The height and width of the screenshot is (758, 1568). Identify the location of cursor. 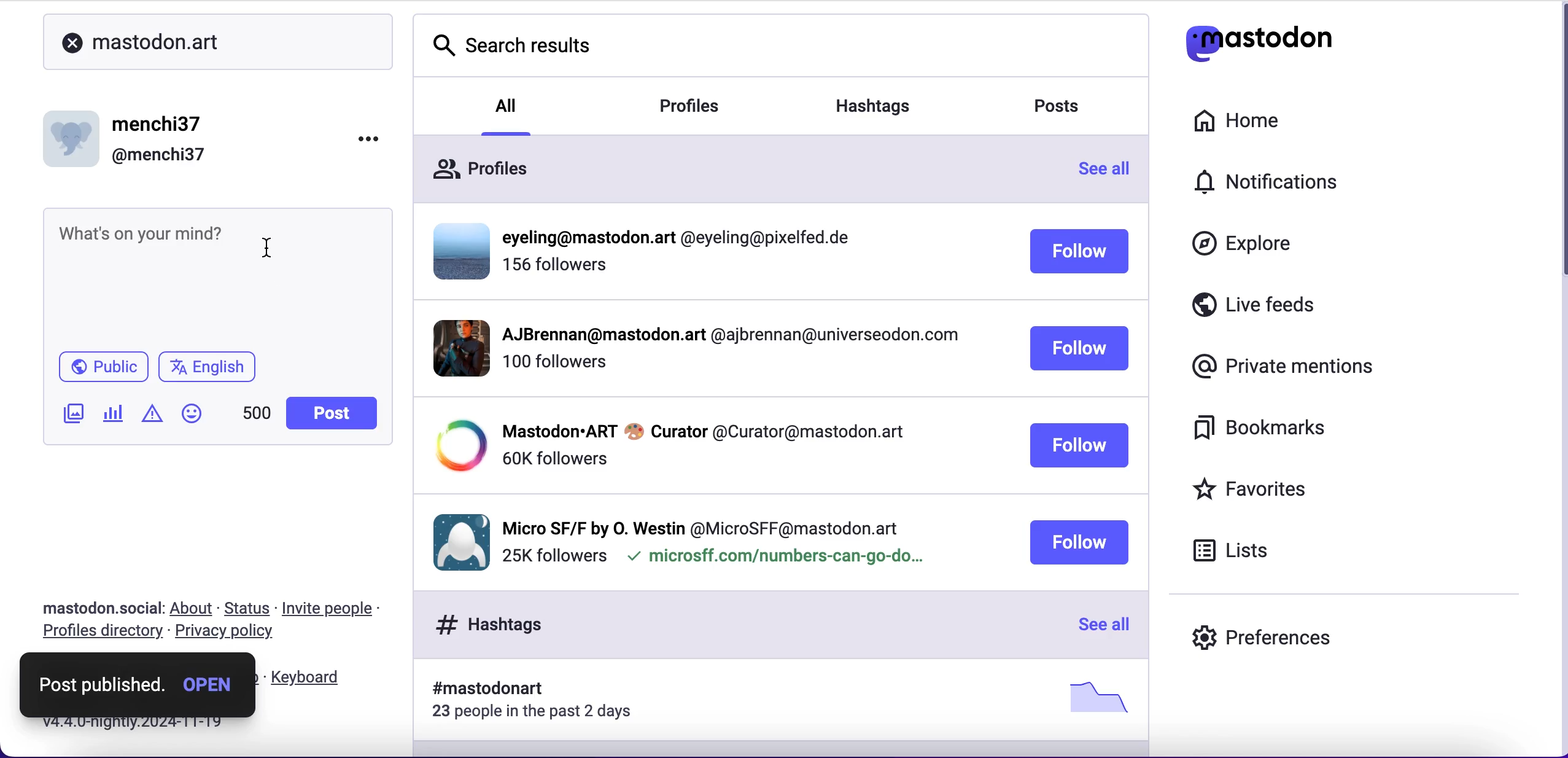
(273, 250).